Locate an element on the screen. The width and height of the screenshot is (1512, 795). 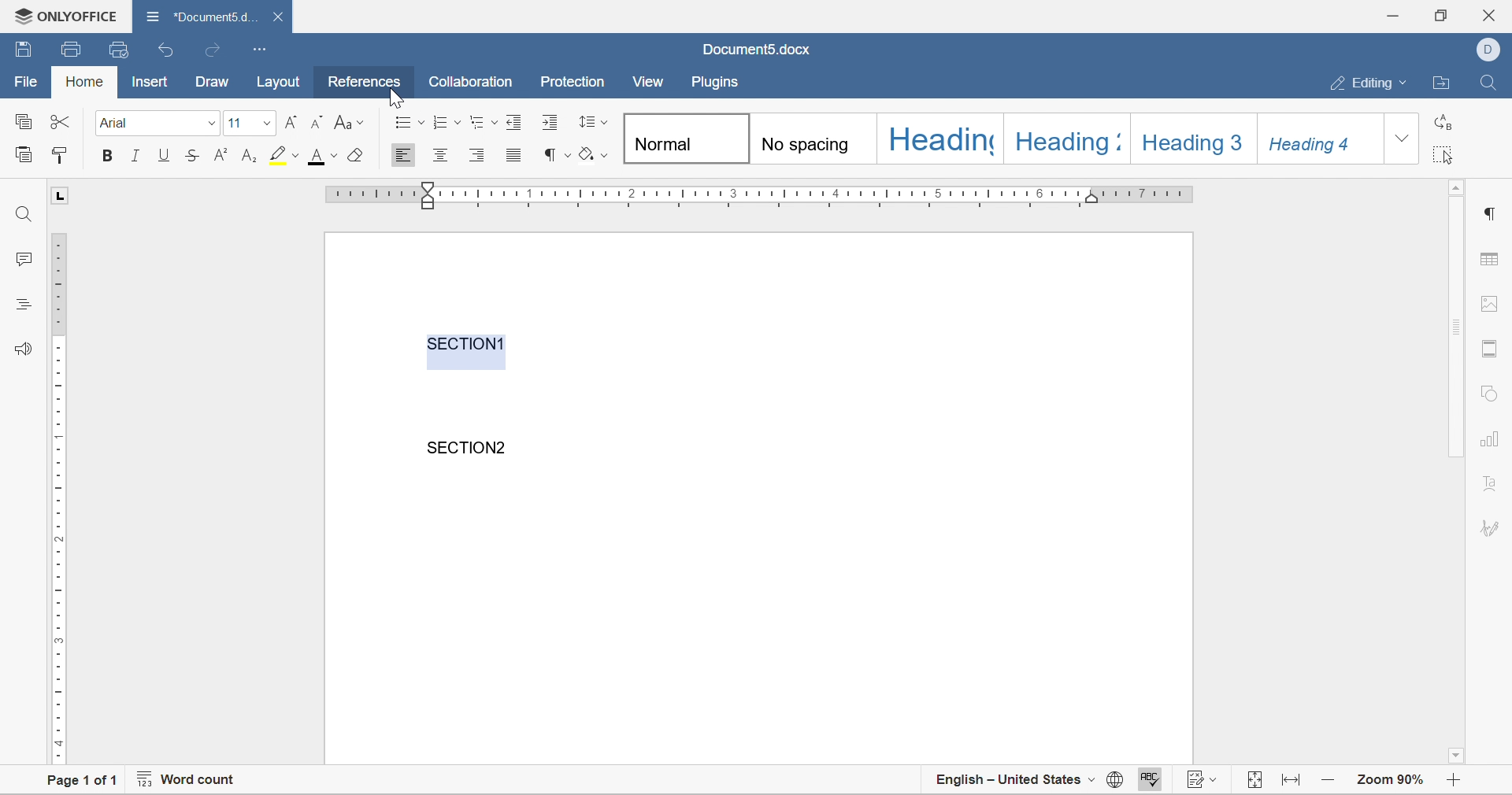
minimize is located at coordinates (1396, 13).